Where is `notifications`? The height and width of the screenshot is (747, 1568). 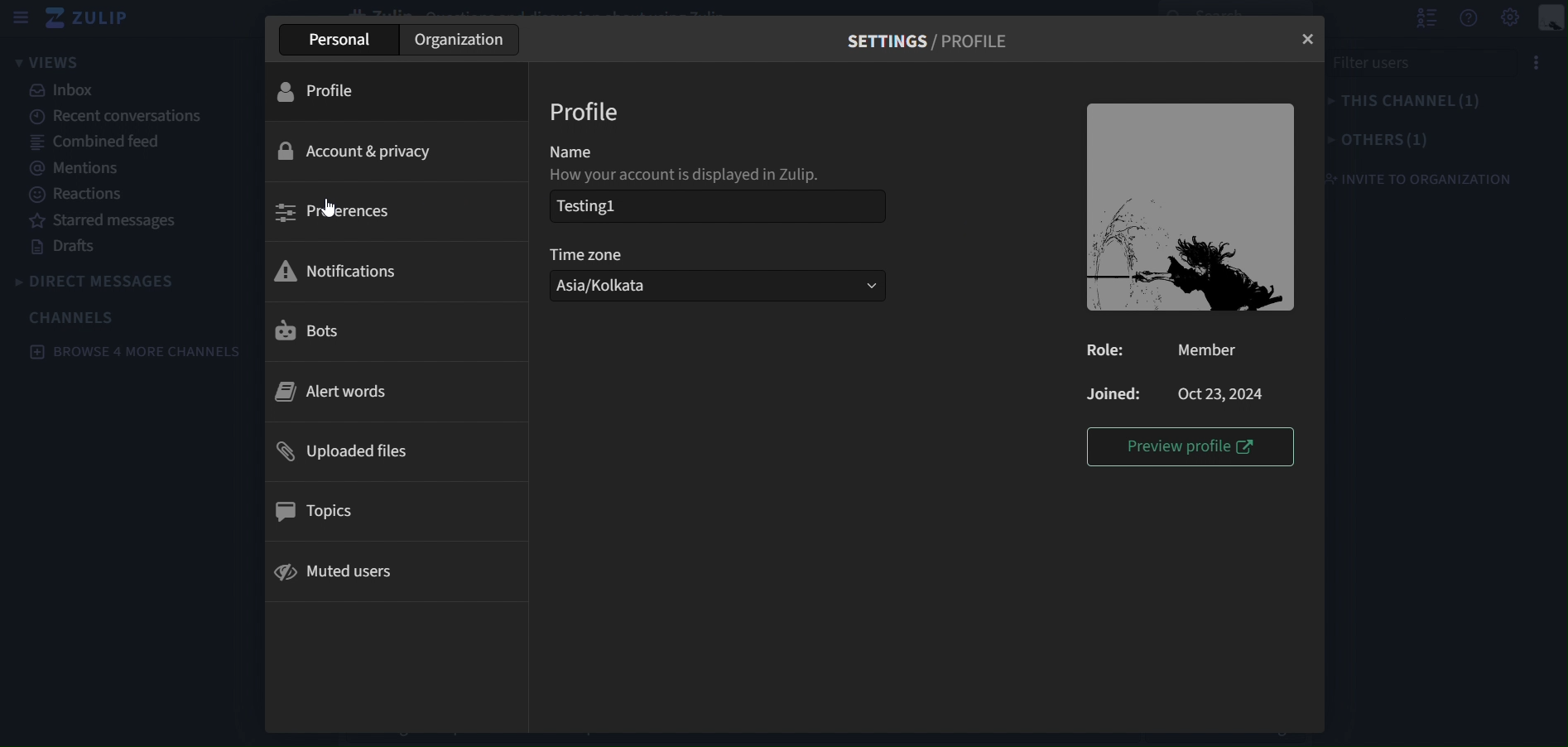
notifications is located at coordinates (394, 270).